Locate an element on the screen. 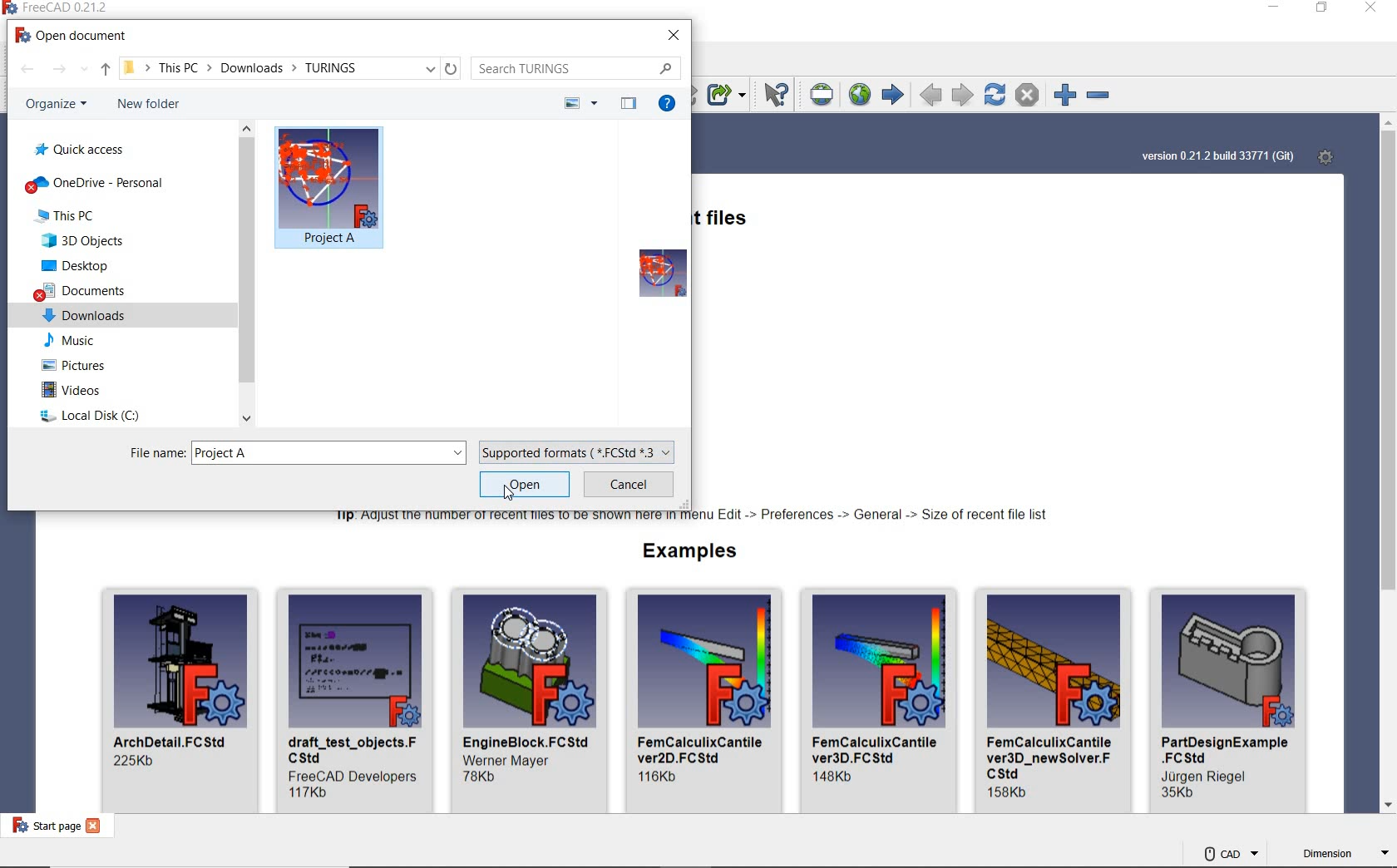 The width and height of the screenshot is (1397, 868). LOCATION is located at coordinates (249, 68).